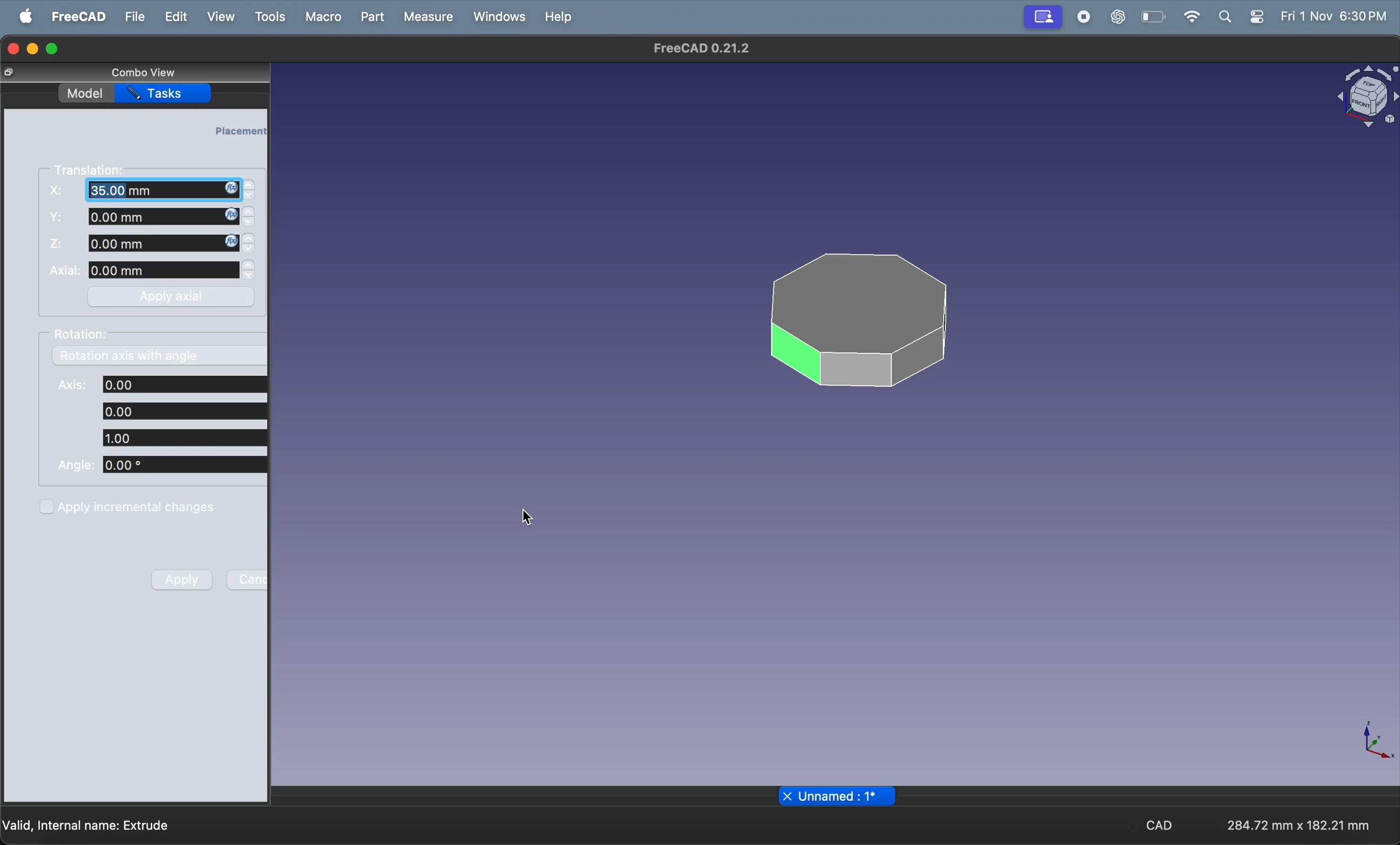 Image resolution: width=1400 pixels, height=845 pixels. Describe the element at coordinates (1364, 94) in the screenshot. I see `object view` at that location.